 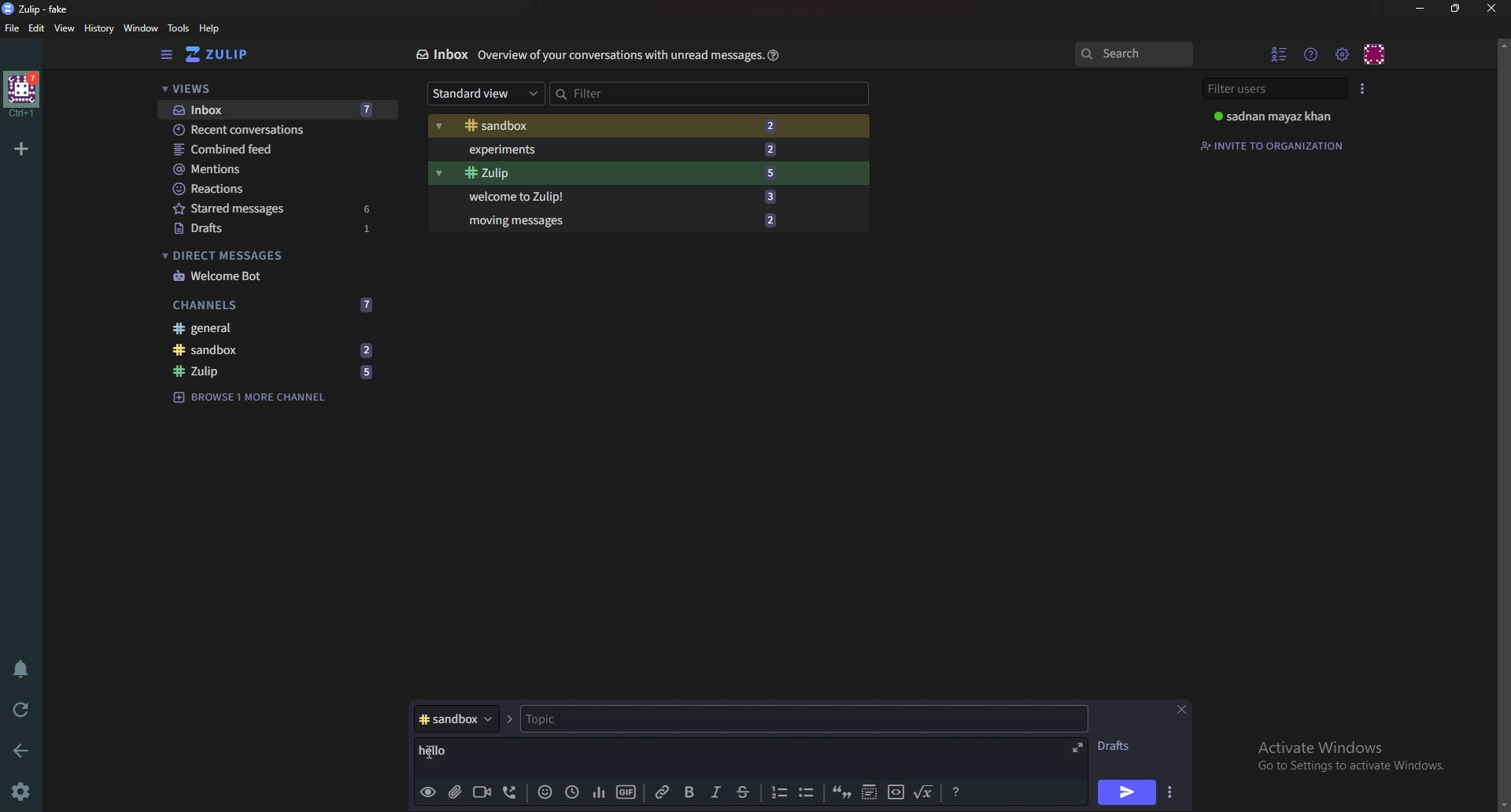 I want to click on Add organization, so click(x=21, y=148).